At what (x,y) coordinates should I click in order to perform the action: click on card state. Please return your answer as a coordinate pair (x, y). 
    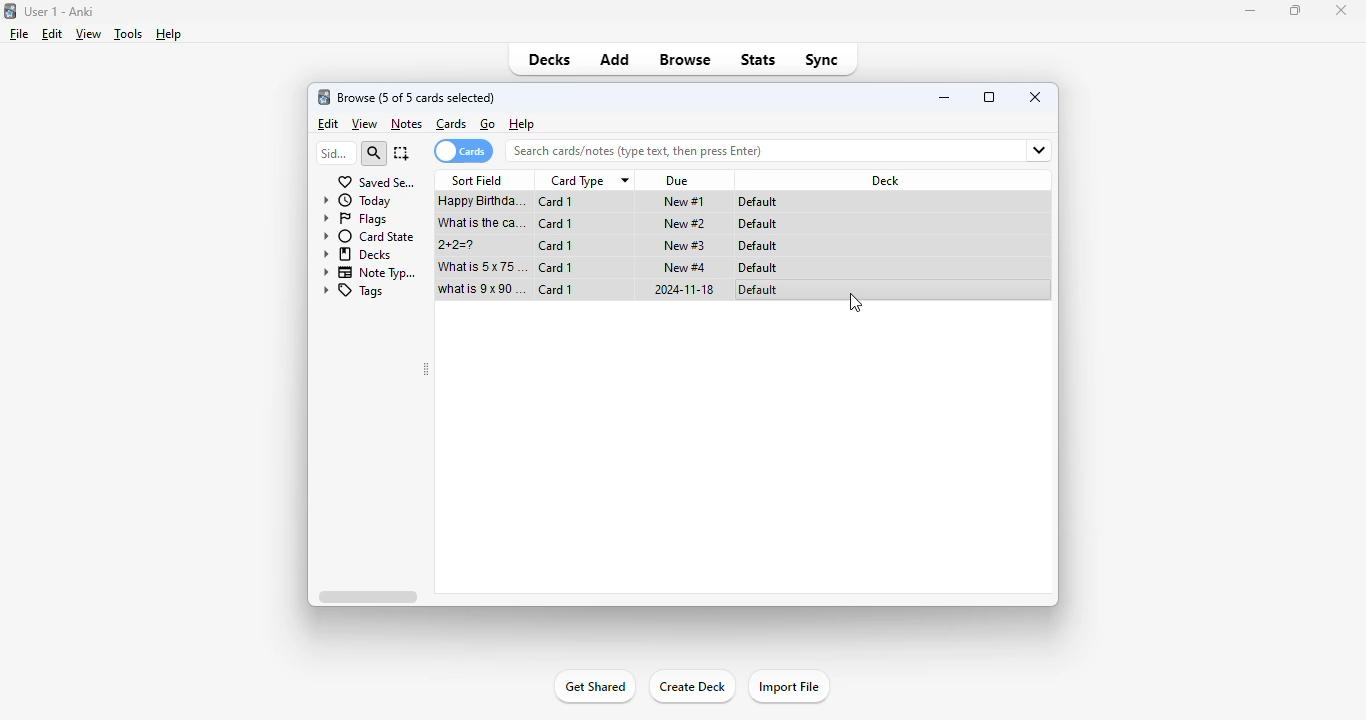
    Looking at the image, I should click on (370, 237).